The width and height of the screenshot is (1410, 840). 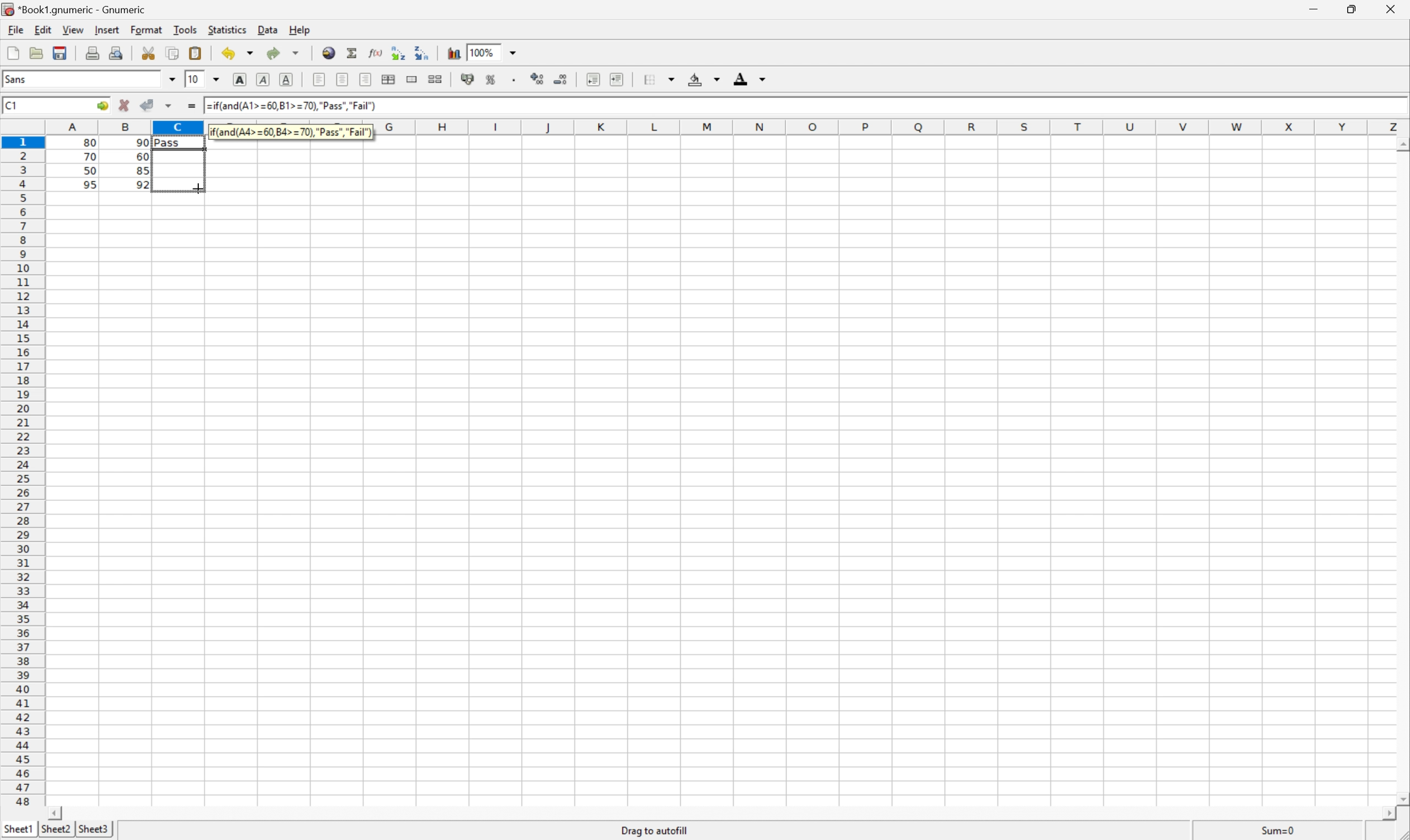 I want to click on Cursor, so click(x=196, y=187).